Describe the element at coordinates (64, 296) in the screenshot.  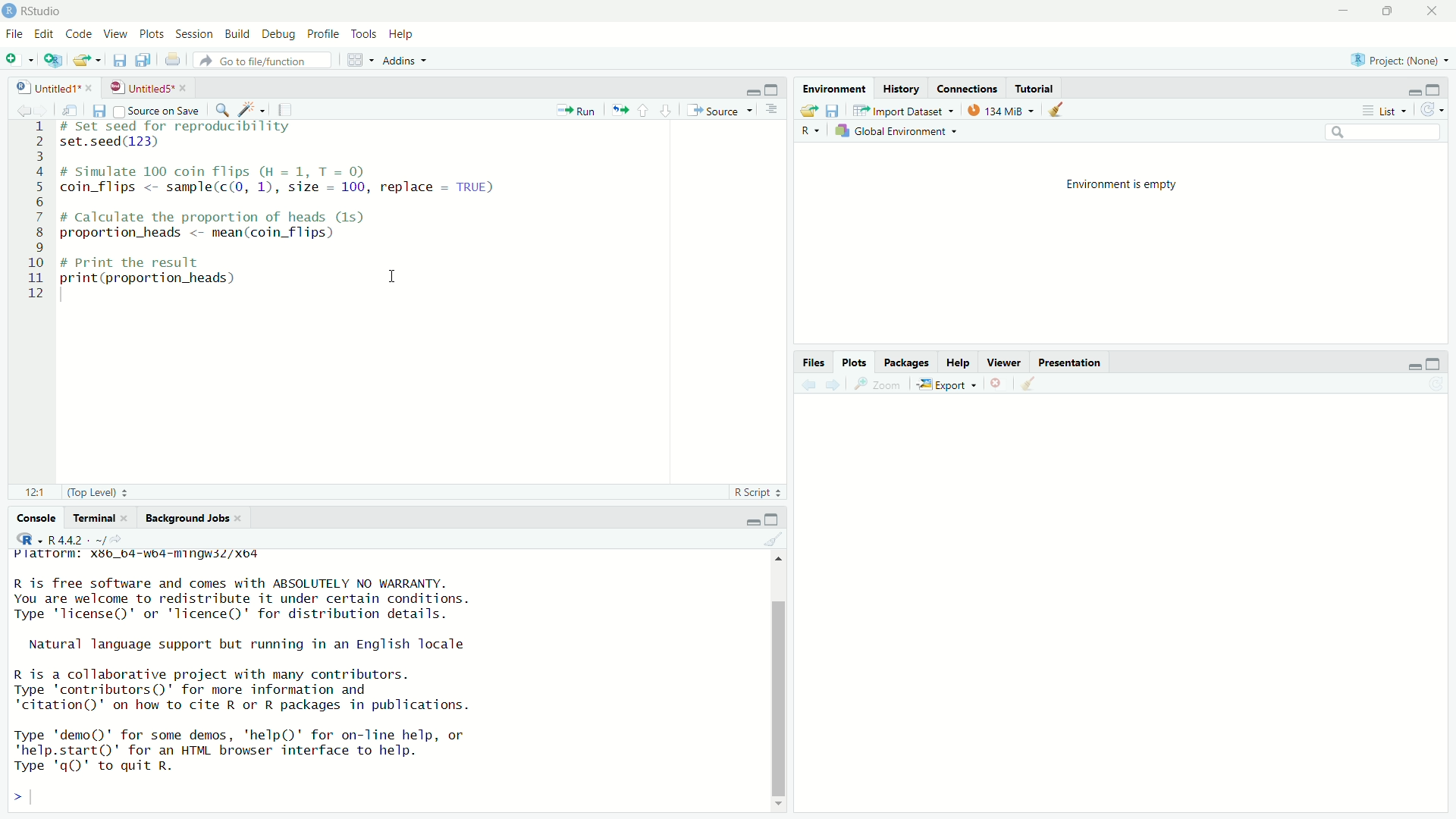
I see `typing cursor` at that location.